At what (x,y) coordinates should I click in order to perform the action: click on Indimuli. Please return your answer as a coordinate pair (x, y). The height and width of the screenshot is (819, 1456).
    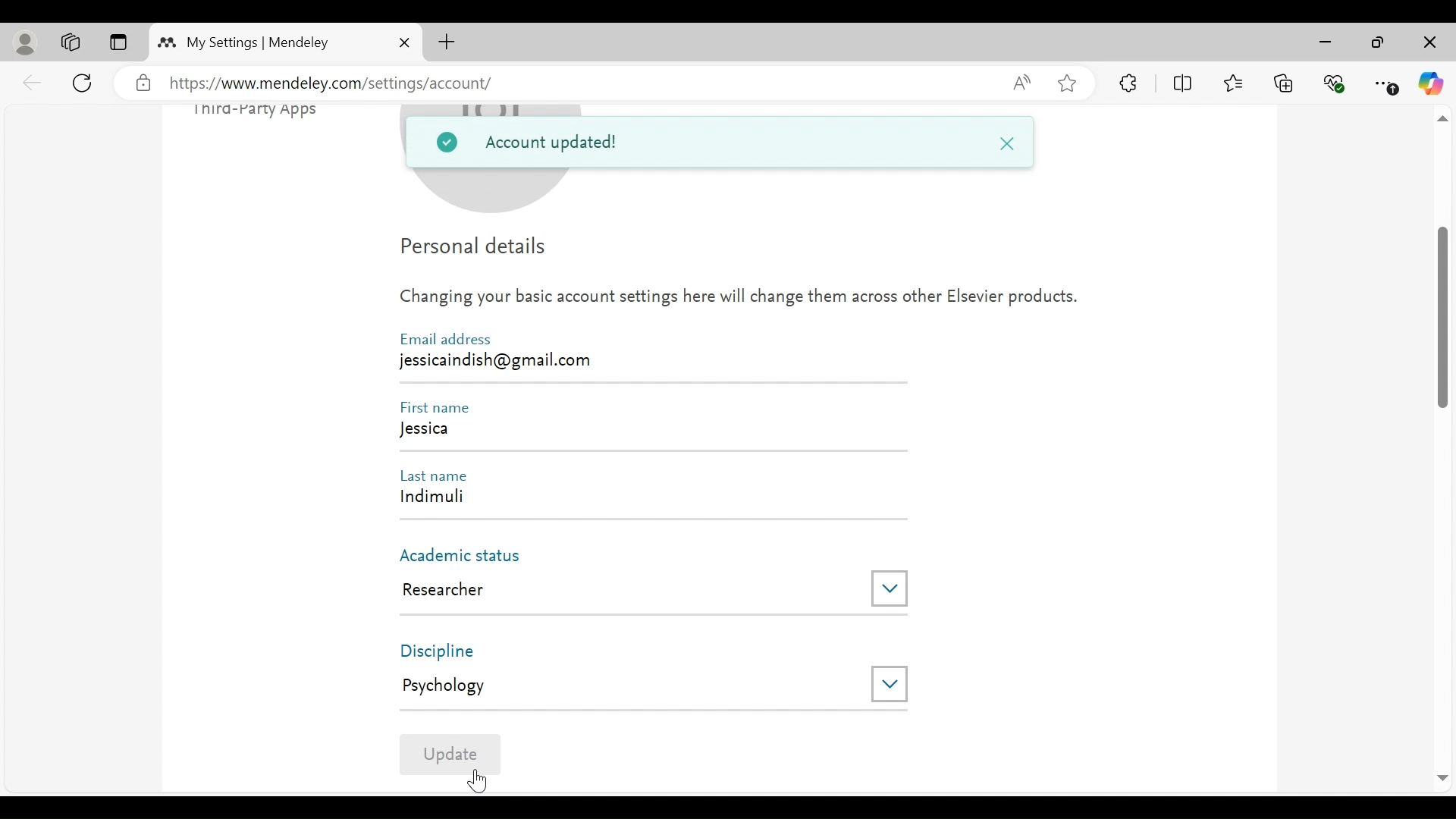
    Looking at the image, I should click on (642, 500).